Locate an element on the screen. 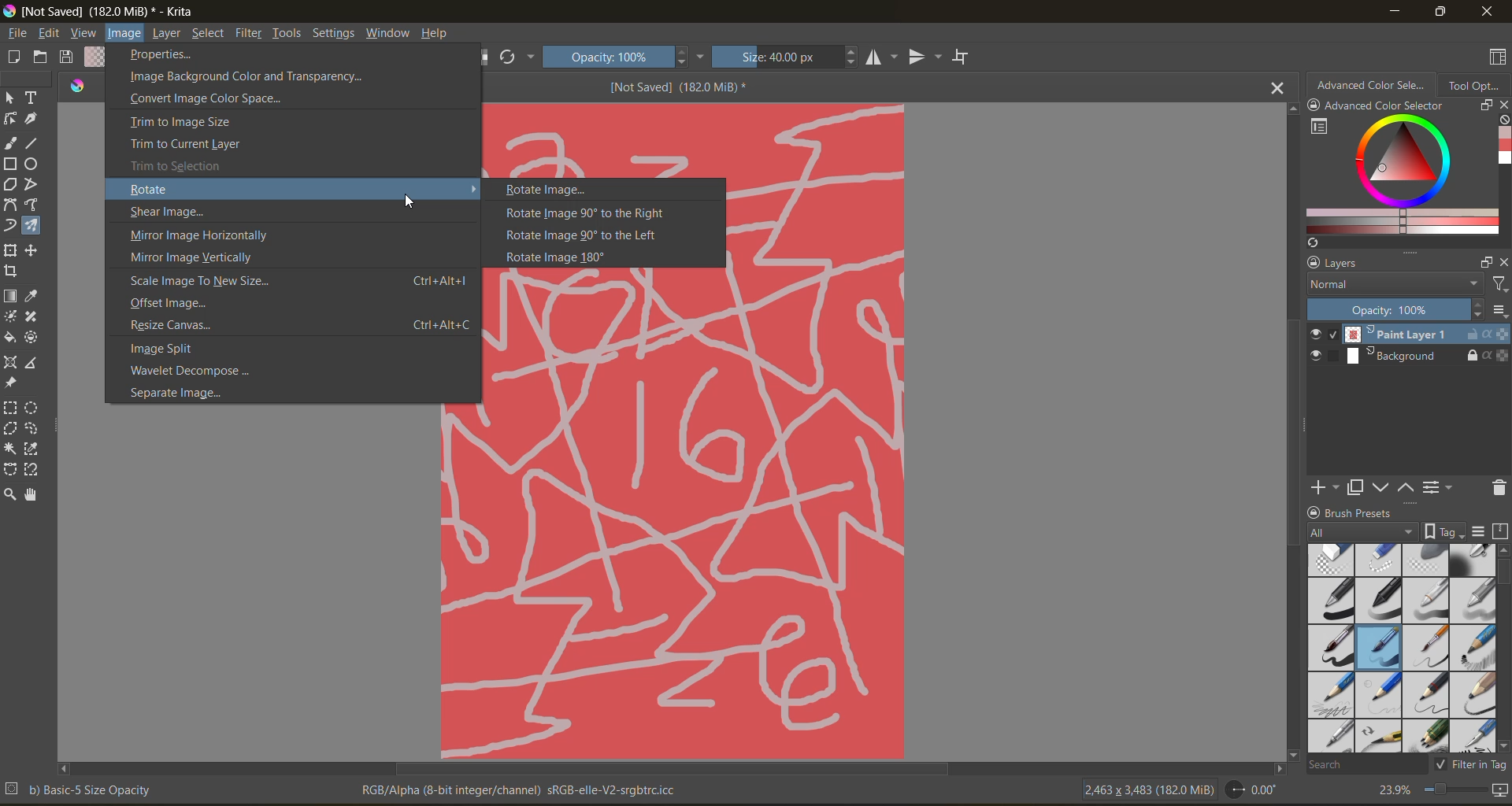 The height and width of the screenshot is (806, 1512). Brush Presets is located at coordinates (1366, 512).